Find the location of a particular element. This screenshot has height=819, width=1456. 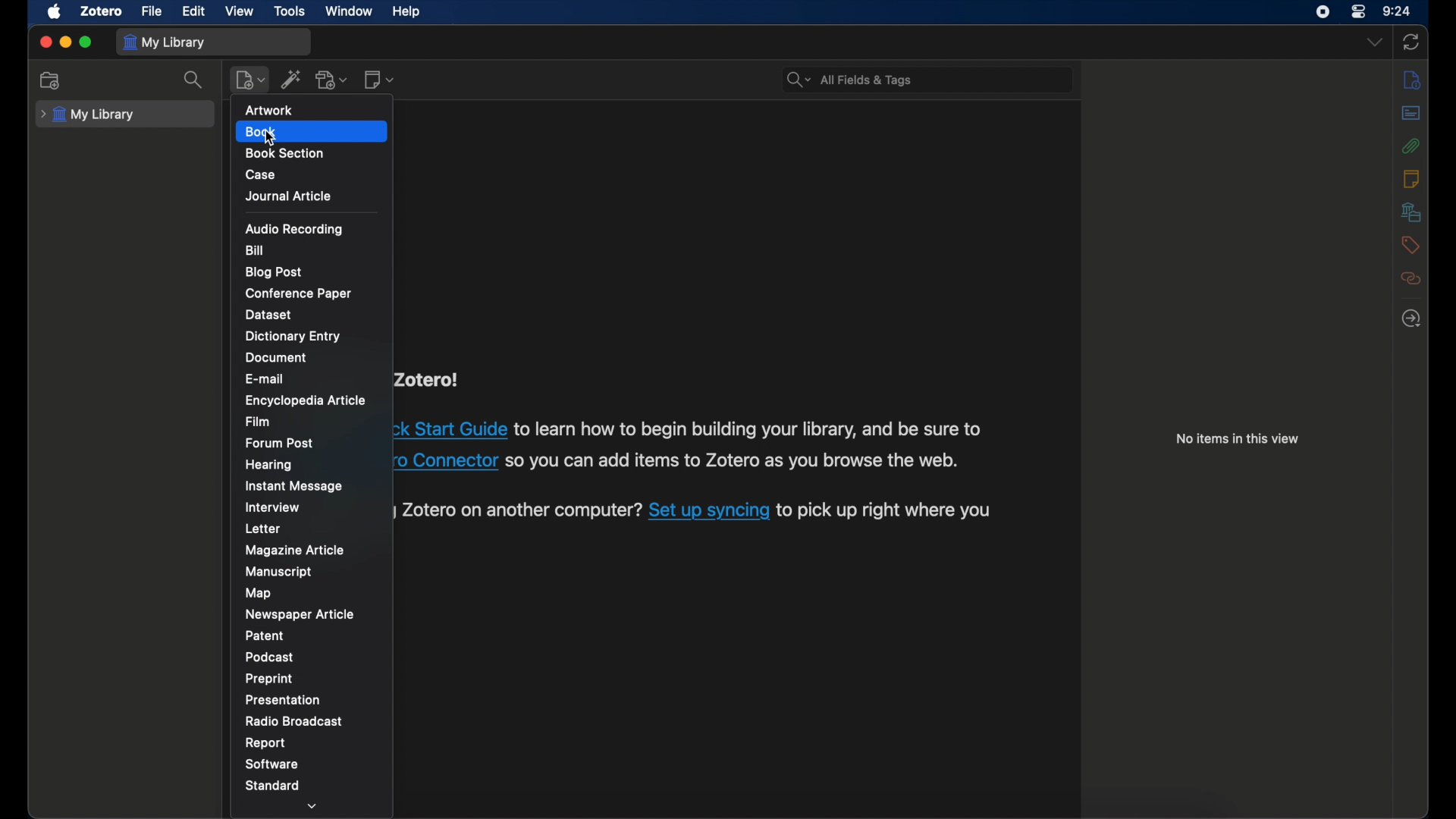

blog post is located at coordinates (274, 273).